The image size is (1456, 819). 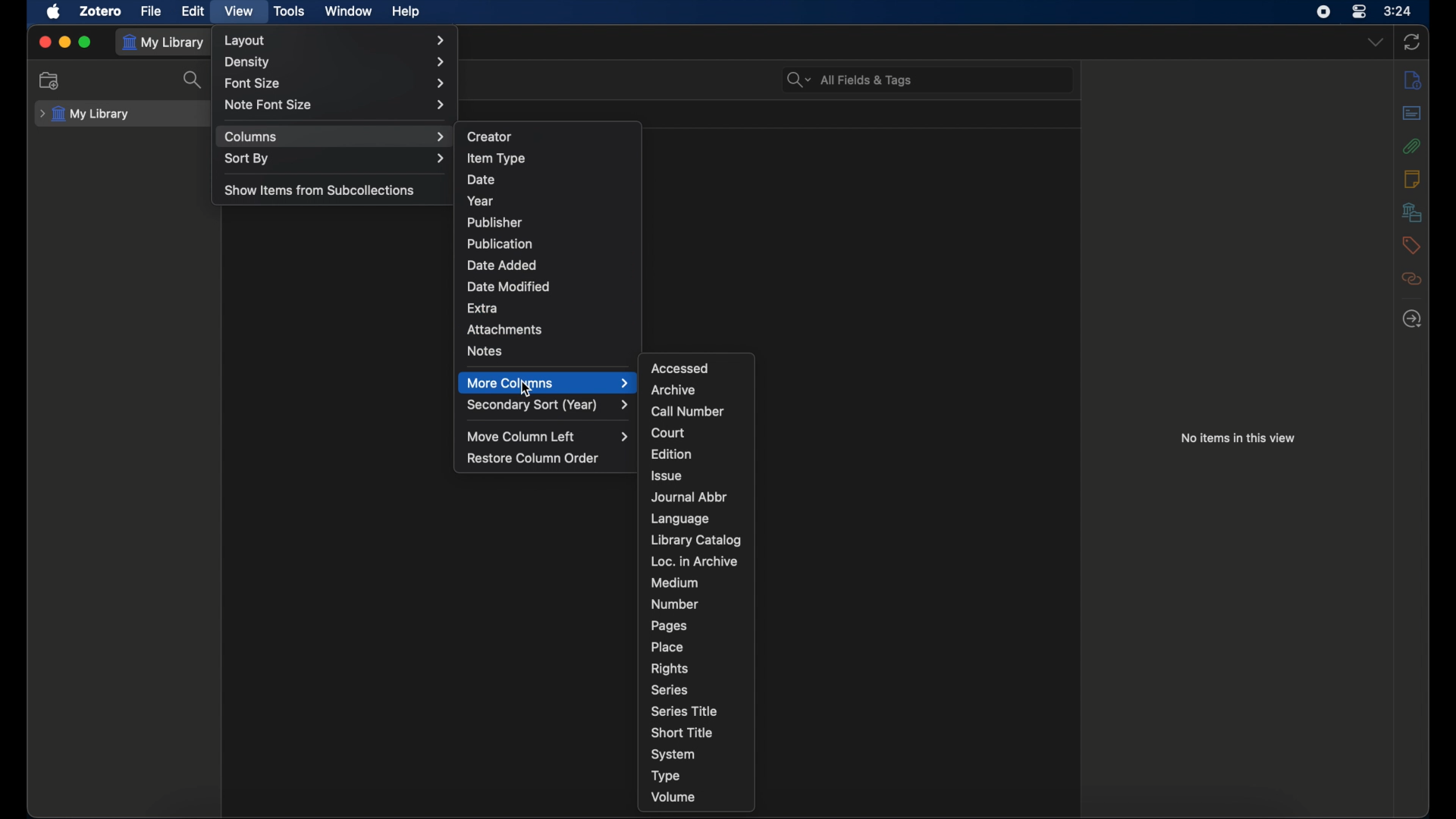 I want to click on info, so click(x=1414, y=79).